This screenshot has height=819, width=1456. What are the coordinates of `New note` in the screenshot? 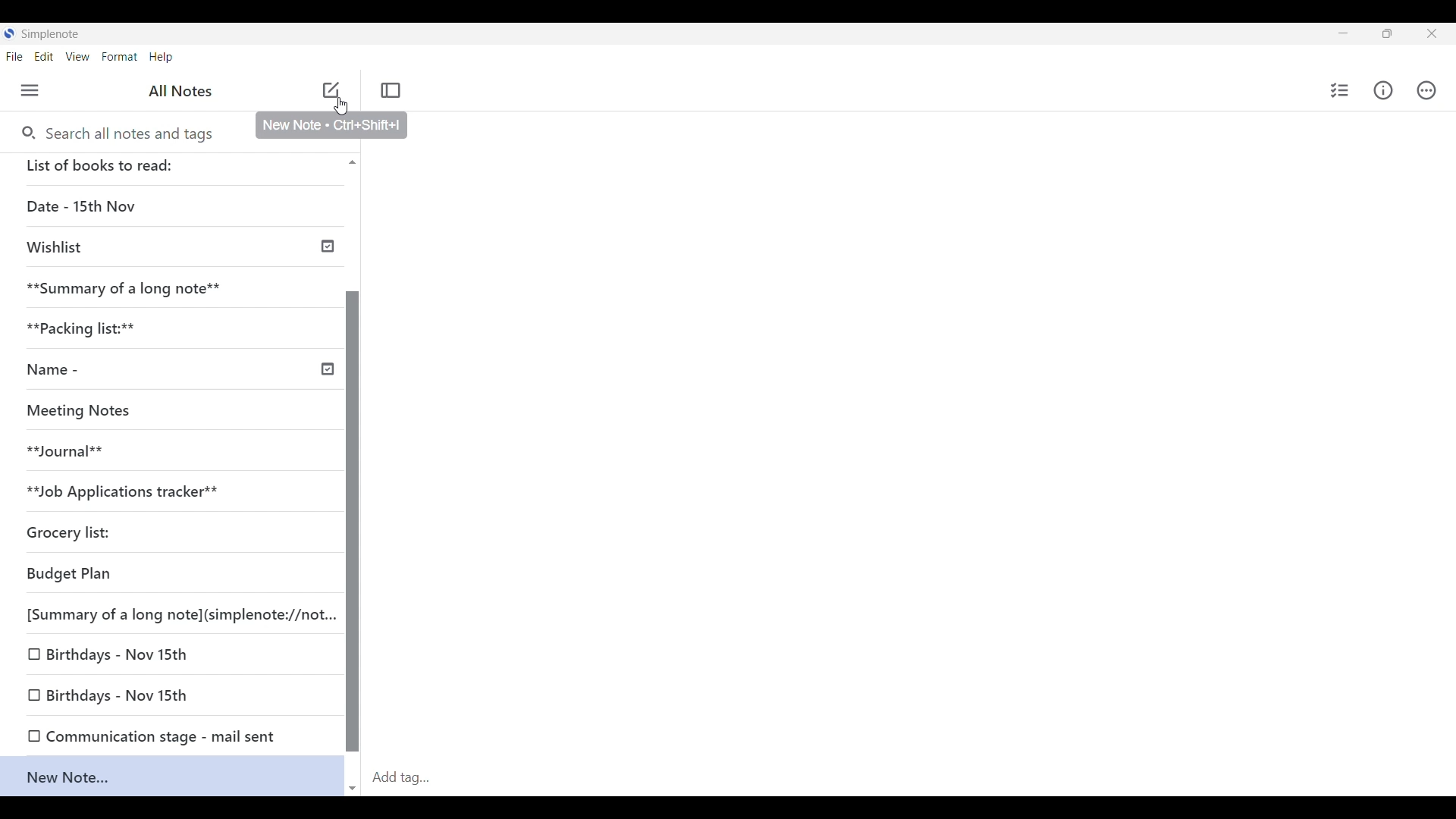 It's located at (331, 89).